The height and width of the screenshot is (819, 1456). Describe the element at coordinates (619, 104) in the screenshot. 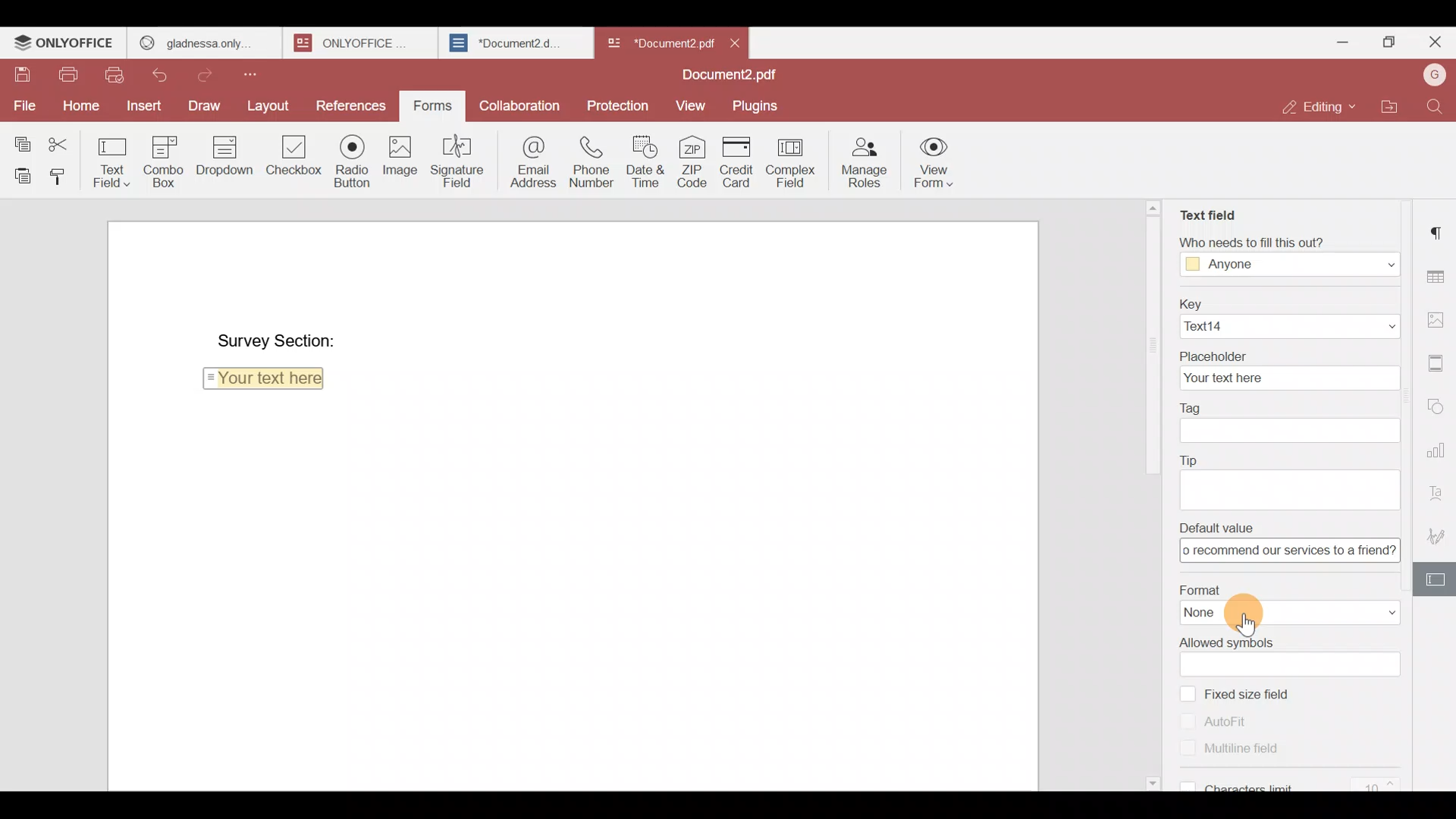

I see `Protection` at that location.